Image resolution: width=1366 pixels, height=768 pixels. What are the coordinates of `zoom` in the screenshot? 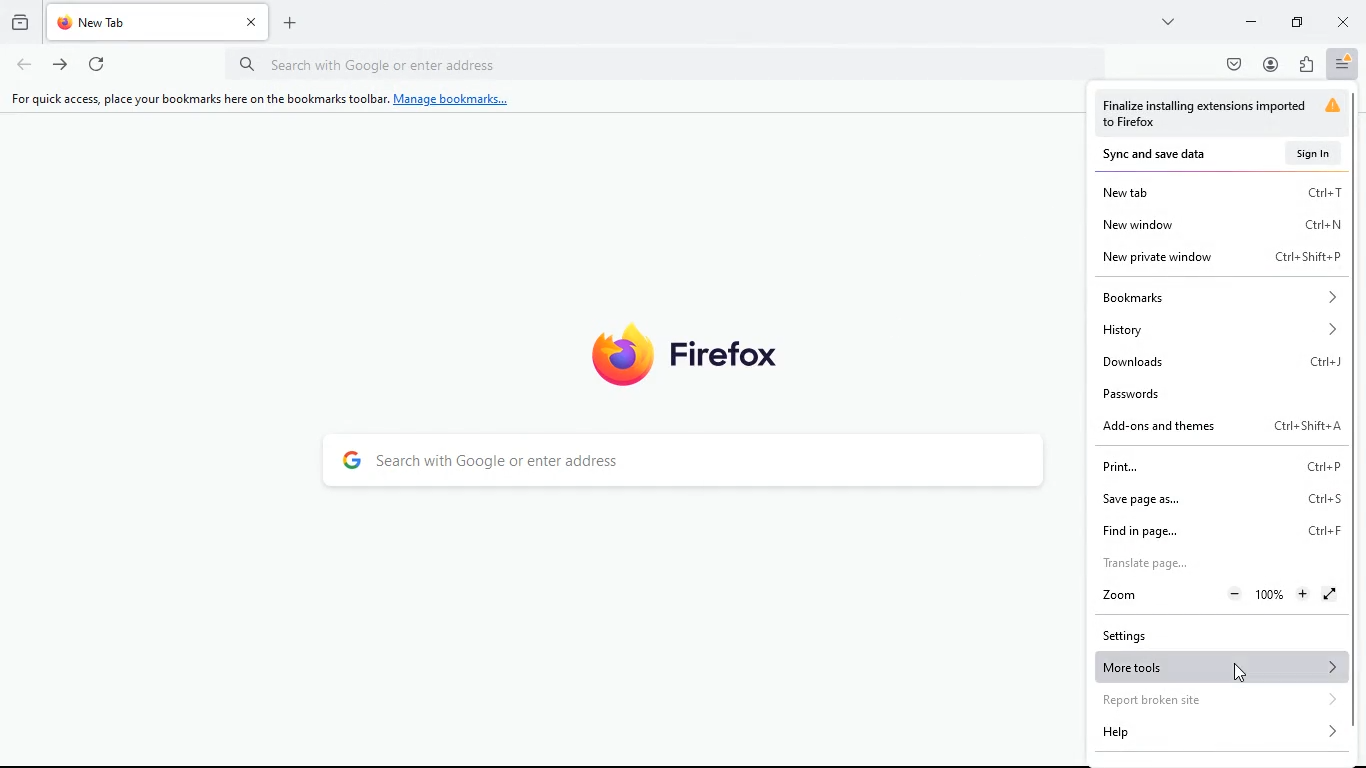 It's located at (1121, 595).